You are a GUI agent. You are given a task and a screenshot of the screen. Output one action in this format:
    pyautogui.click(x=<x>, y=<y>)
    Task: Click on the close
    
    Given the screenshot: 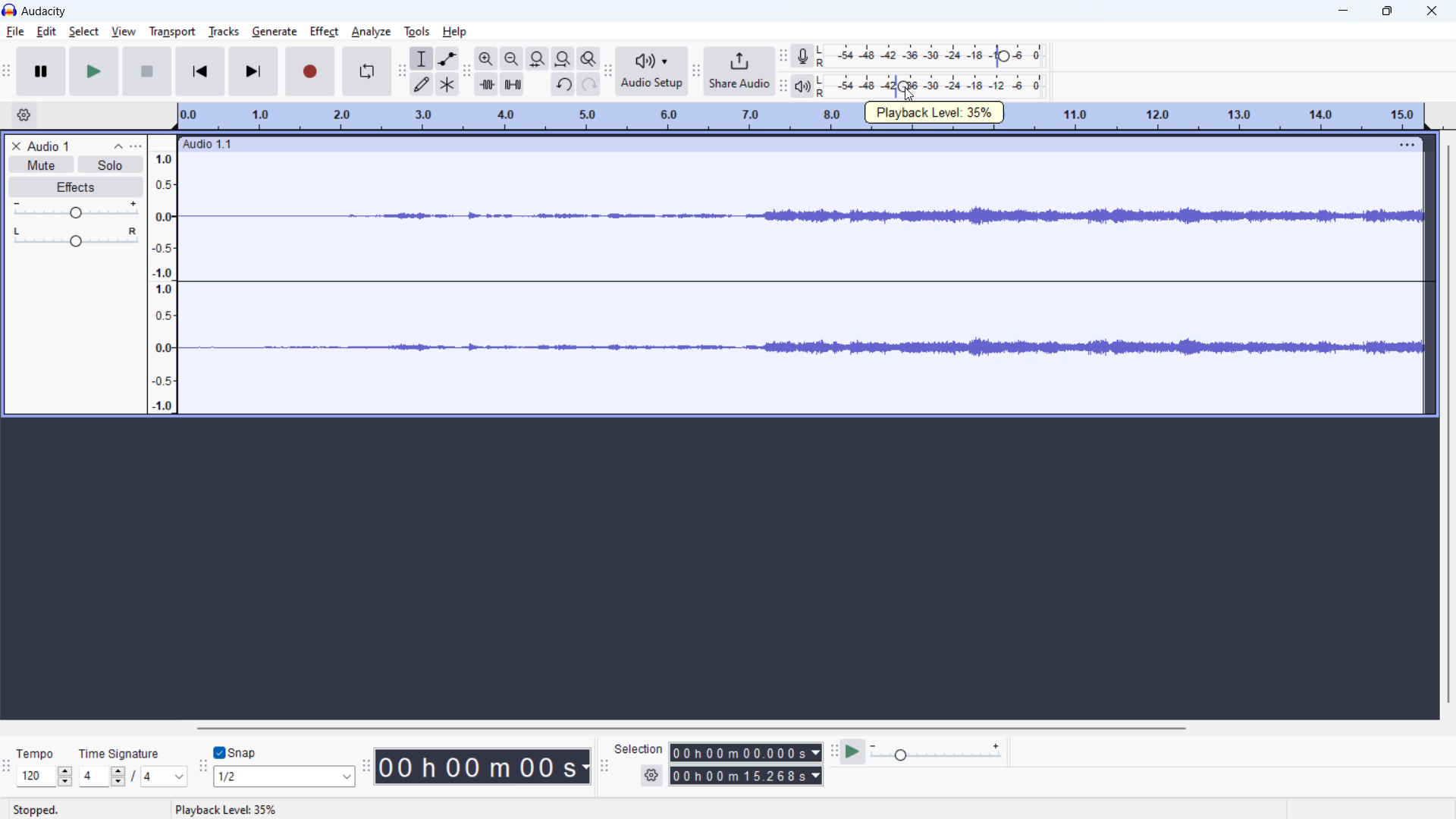 What is the action you would take?
    pyautogui.click(x=1431, y=11)
    